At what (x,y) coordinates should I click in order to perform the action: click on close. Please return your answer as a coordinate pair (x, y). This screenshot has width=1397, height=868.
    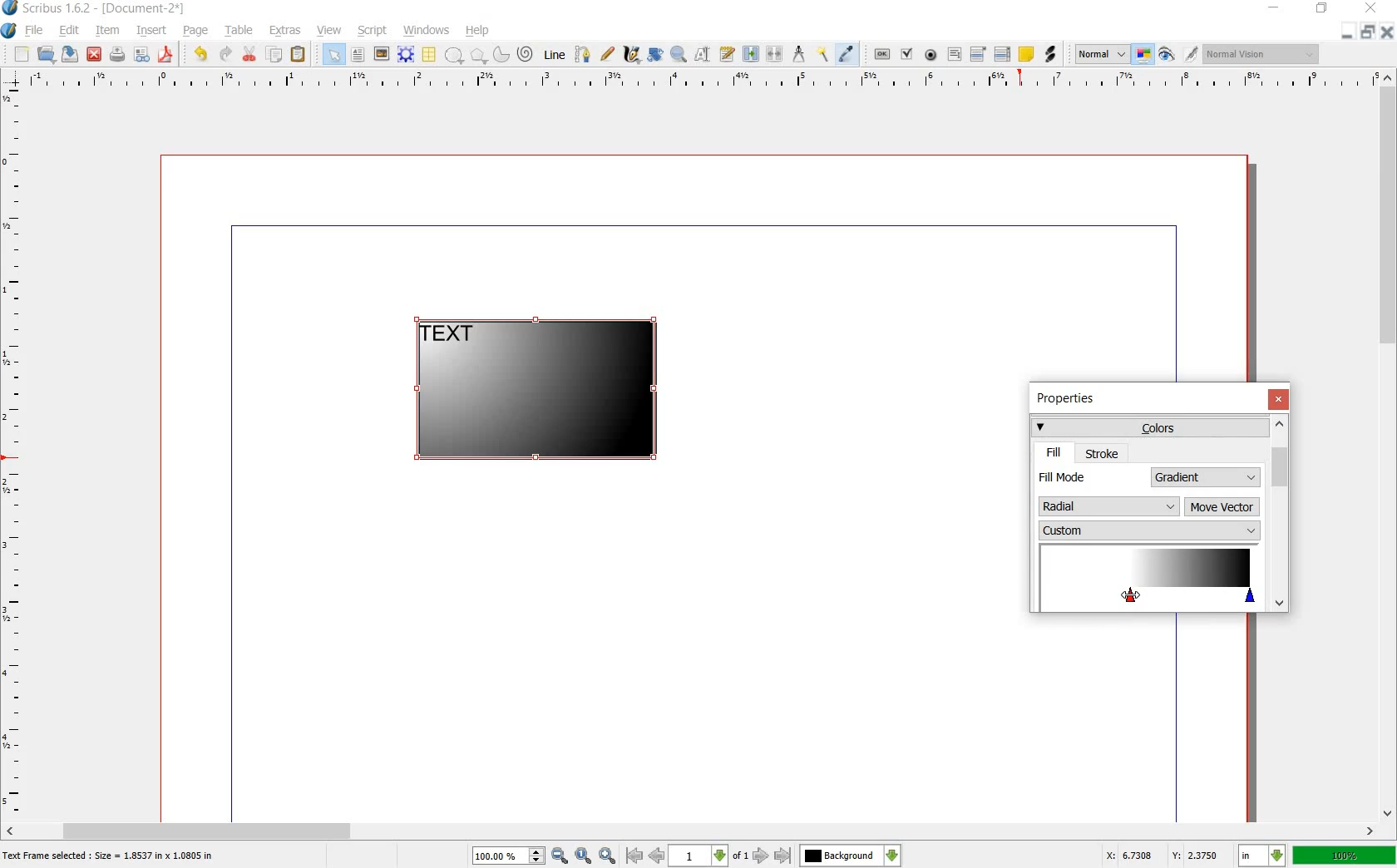
    Looking at the image, I should click on (96, 54).